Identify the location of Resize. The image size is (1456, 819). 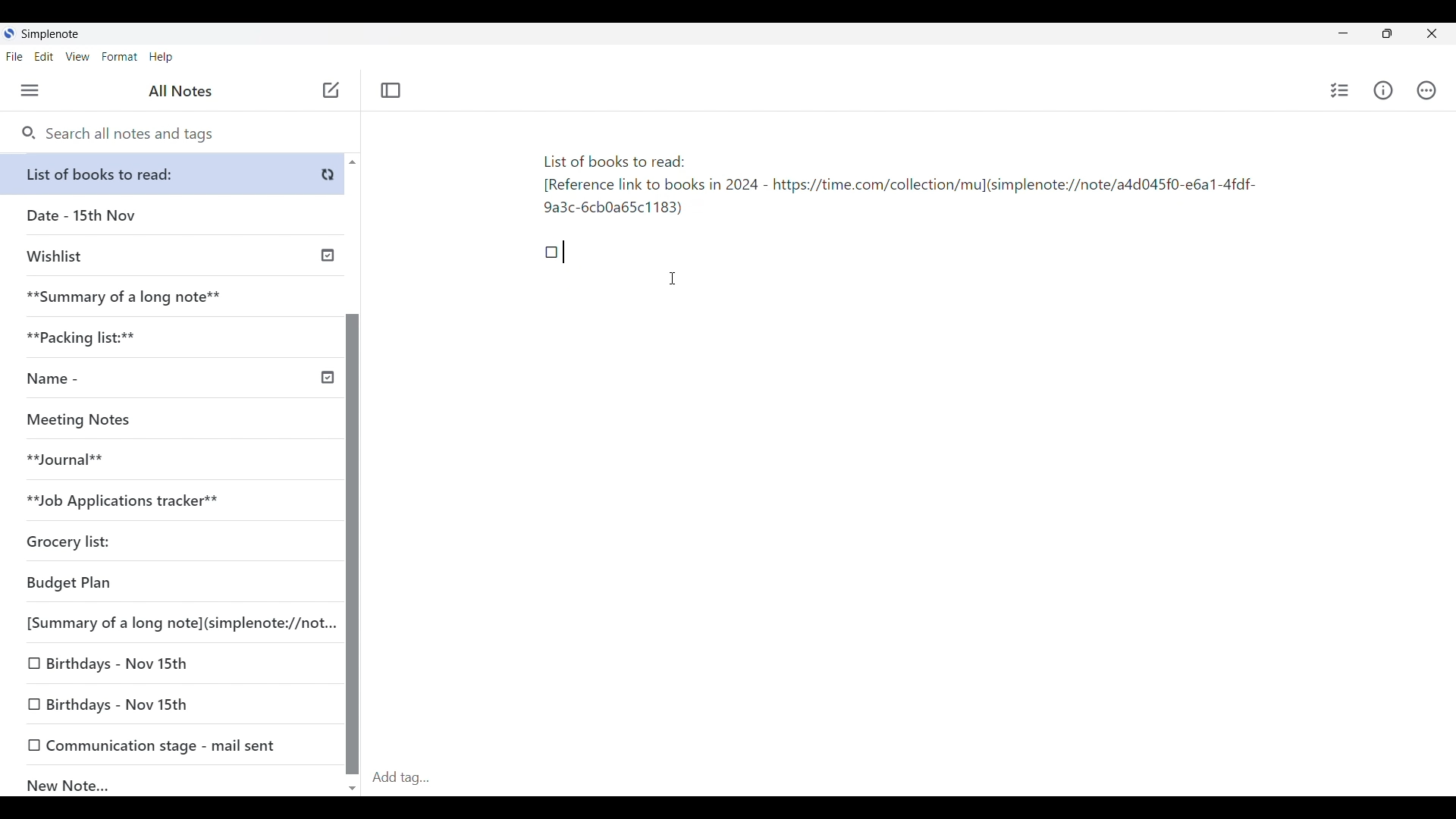
(1382, 35).